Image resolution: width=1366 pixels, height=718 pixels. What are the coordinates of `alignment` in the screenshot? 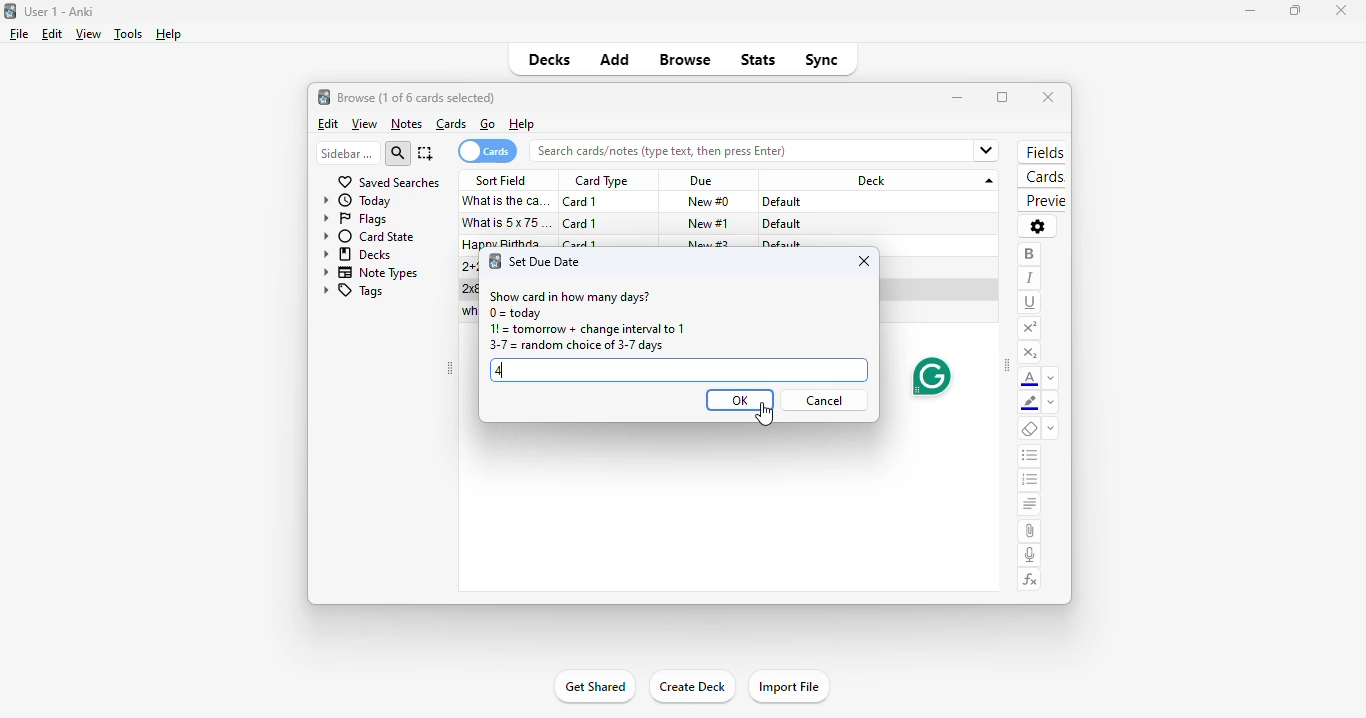 It's located at (1029, 506).